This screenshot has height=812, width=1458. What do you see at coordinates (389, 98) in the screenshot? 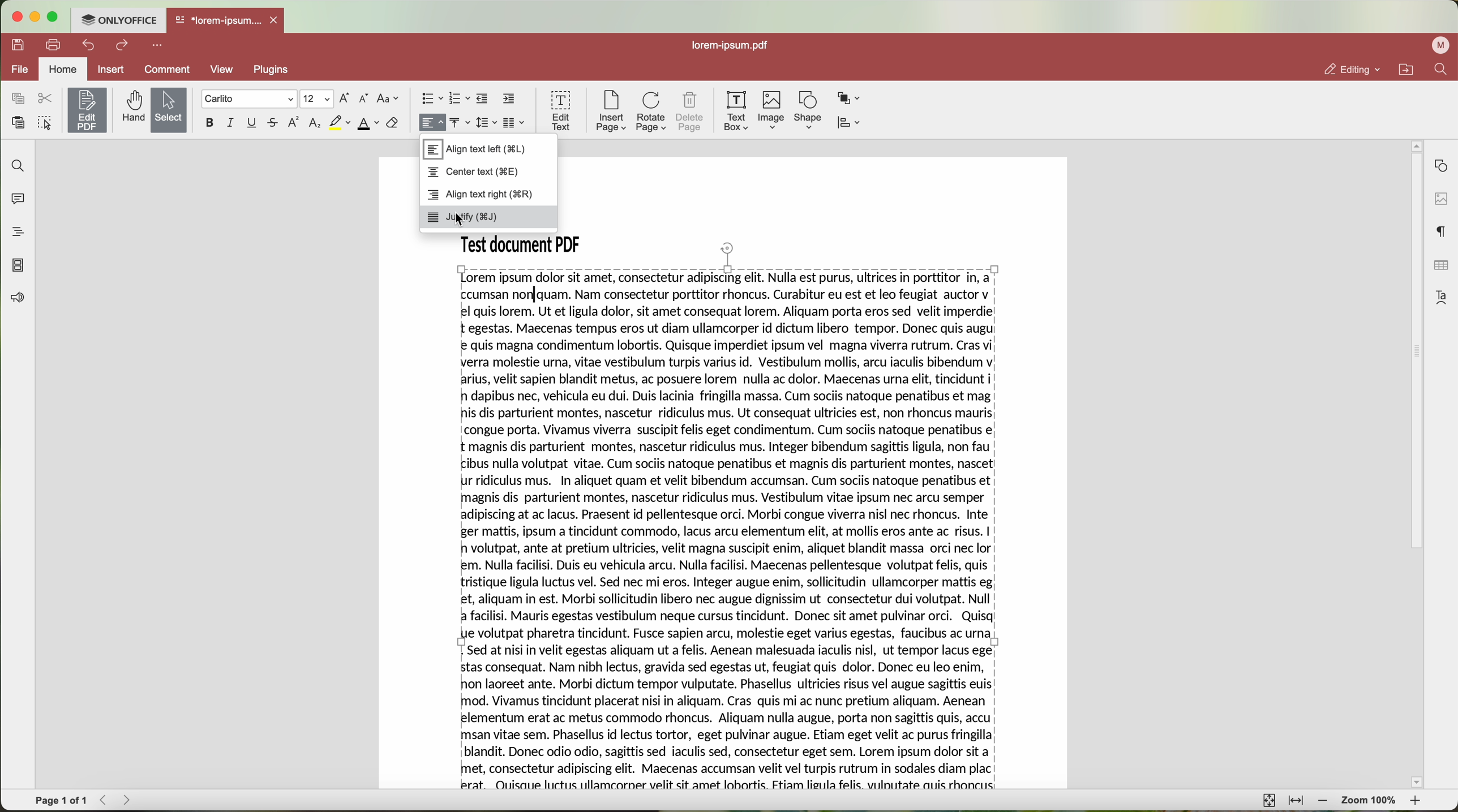
I see `change case` at bounding box center [389, 98].